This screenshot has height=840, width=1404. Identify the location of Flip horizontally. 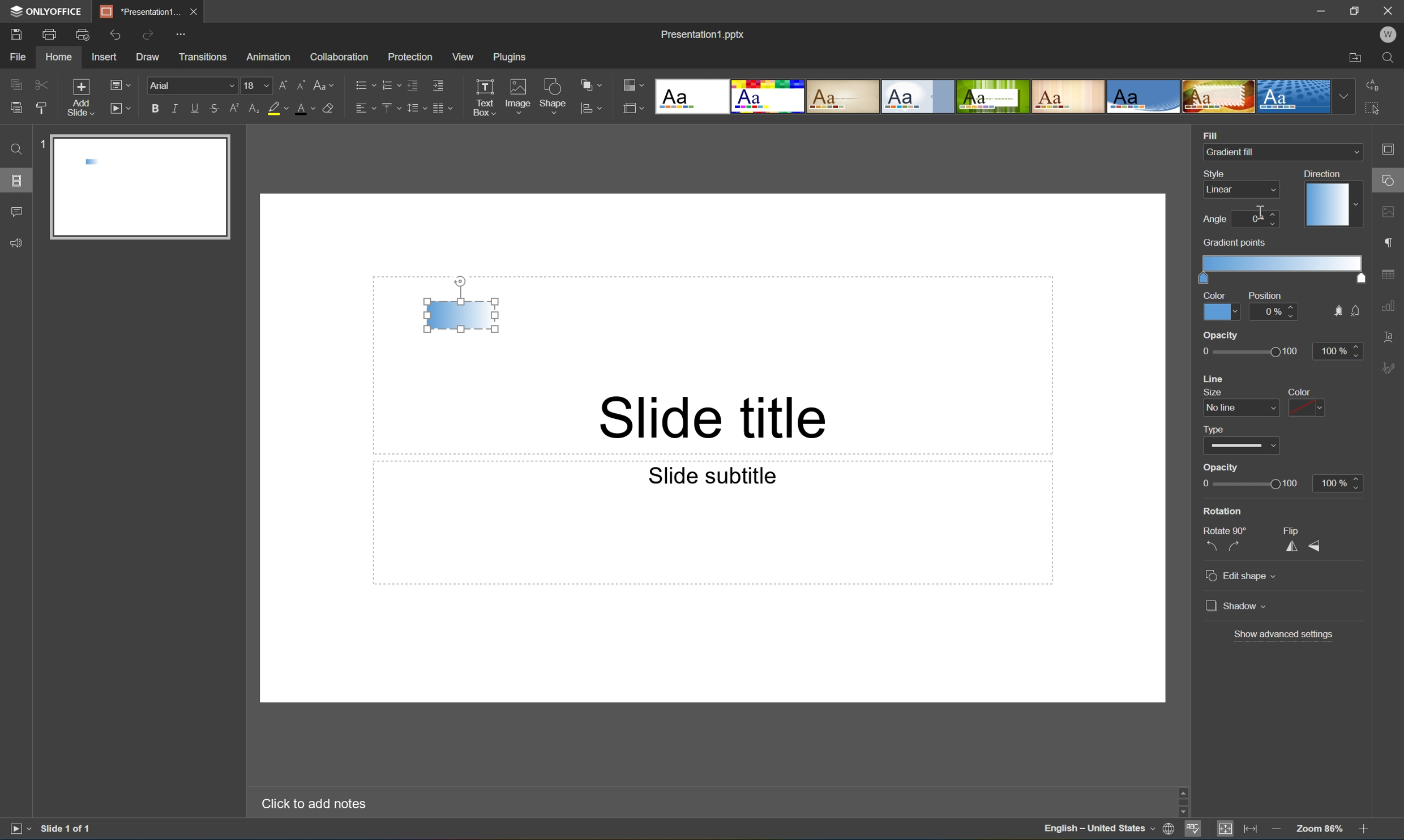
(1292, 548).